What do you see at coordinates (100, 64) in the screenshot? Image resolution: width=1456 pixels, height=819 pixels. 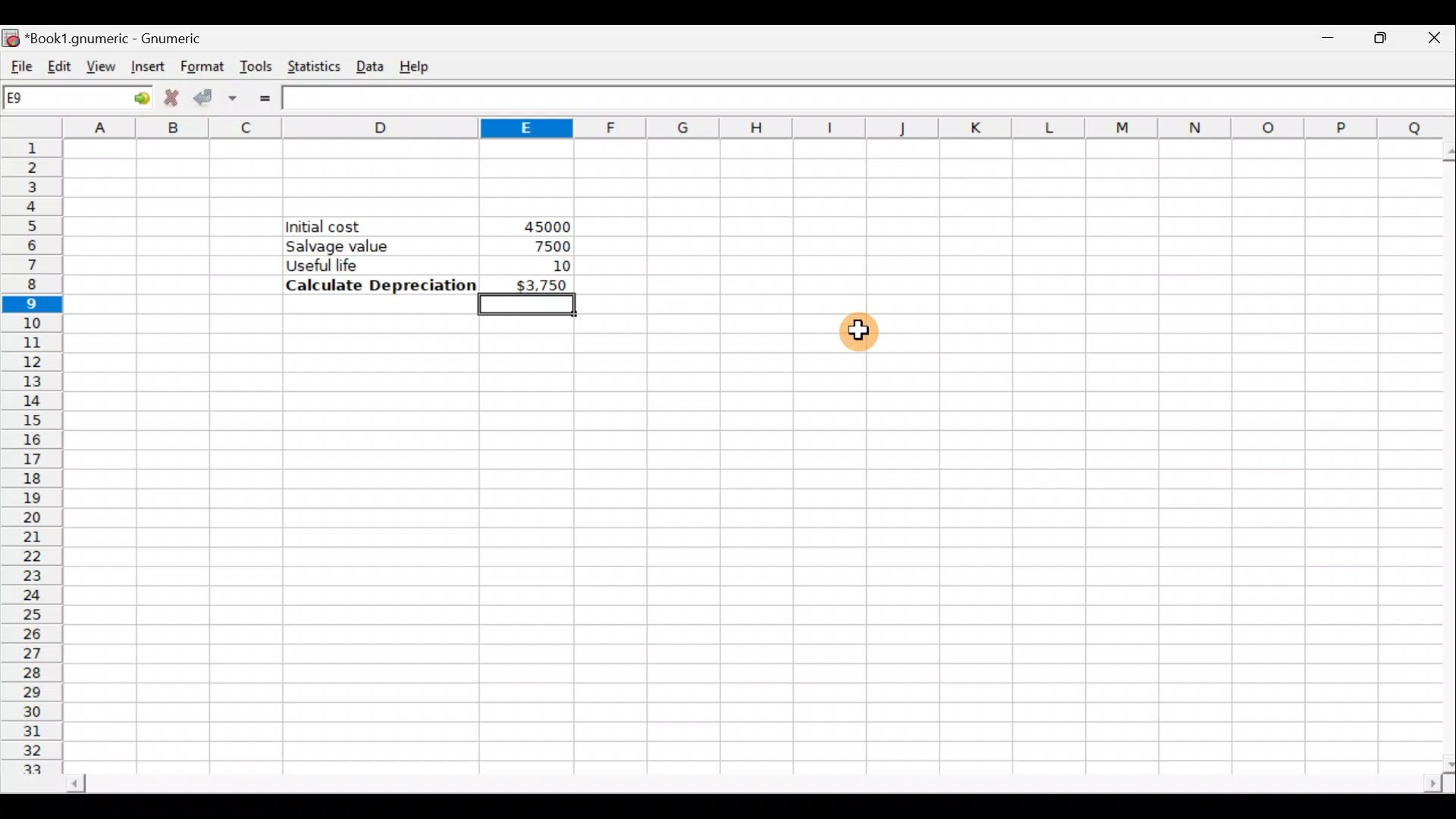 I see `View` at bounding box center [100, 64].